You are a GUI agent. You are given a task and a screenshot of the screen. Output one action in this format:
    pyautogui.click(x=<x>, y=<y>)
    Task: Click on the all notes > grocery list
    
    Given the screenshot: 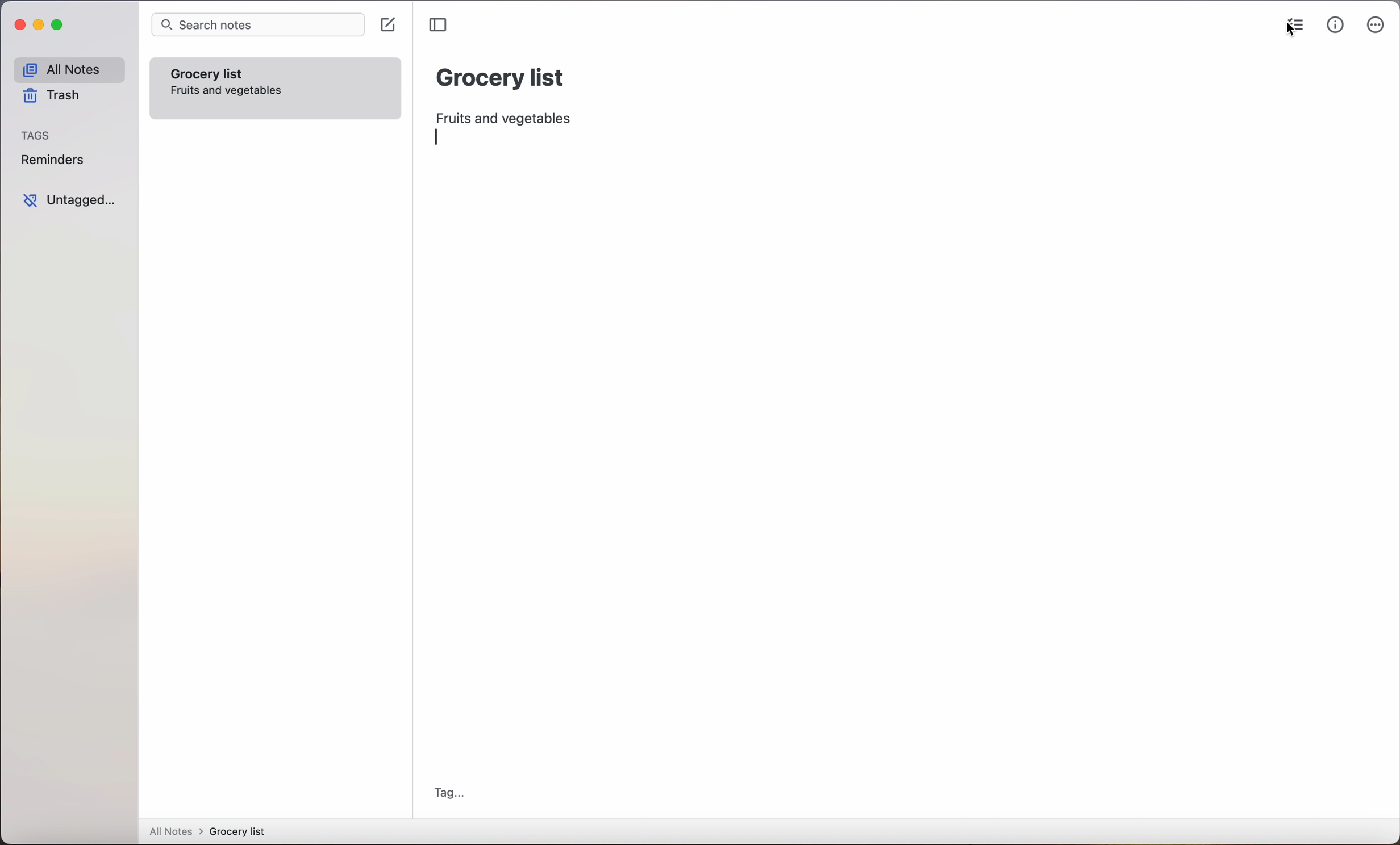 What is the action you would take?
    pyautogui.click(x=212, y=833)
    